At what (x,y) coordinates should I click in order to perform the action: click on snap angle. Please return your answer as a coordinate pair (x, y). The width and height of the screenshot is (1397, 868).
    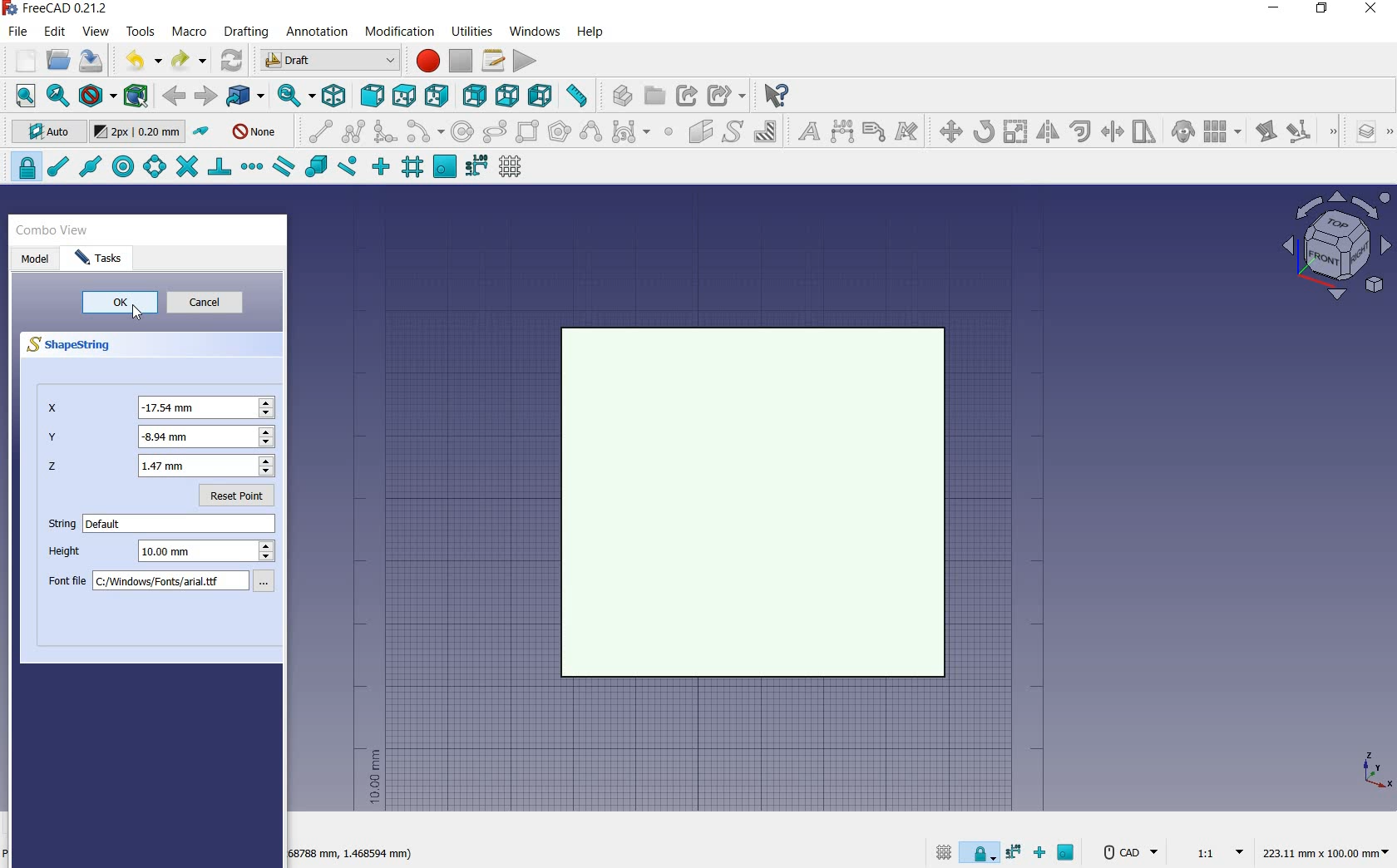
    Looking at the image, I should click on (152, 168).